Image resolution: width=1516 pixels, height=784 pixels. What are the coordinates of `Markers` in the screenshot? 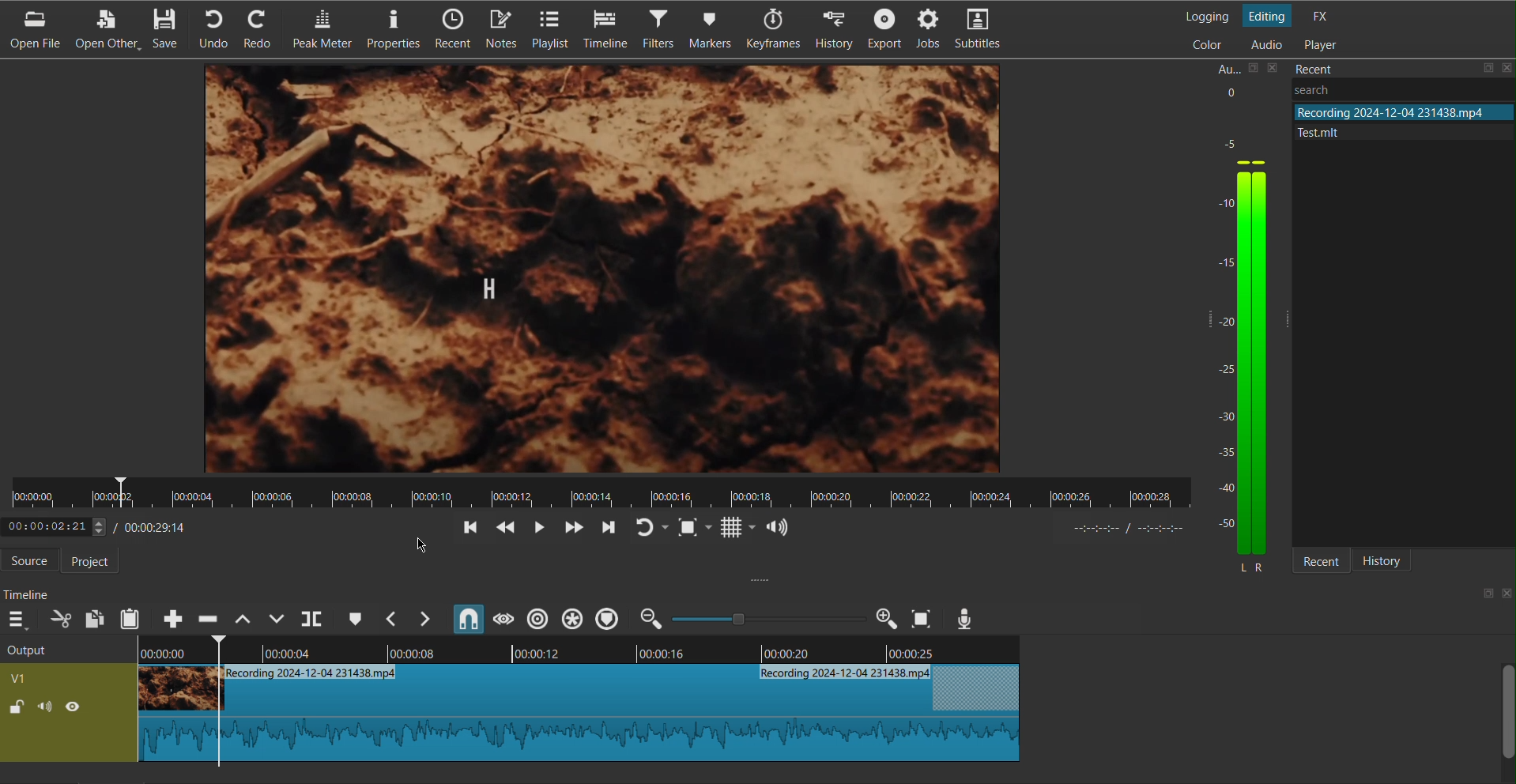 It's located at (710, 31).